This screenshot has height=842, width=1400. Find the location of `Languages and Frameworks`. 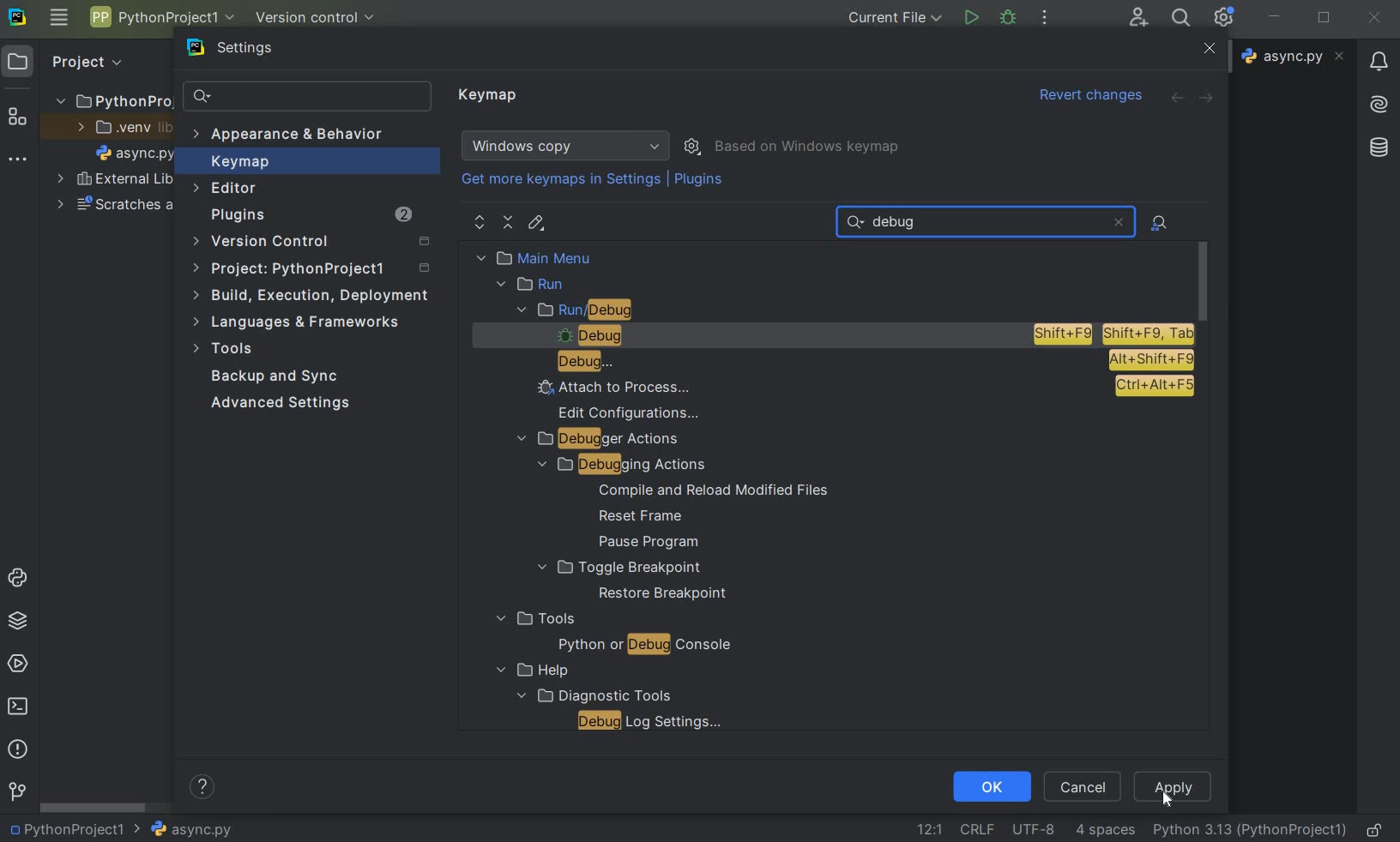

Languages and Frameworks is located at coordinates (302, 322).